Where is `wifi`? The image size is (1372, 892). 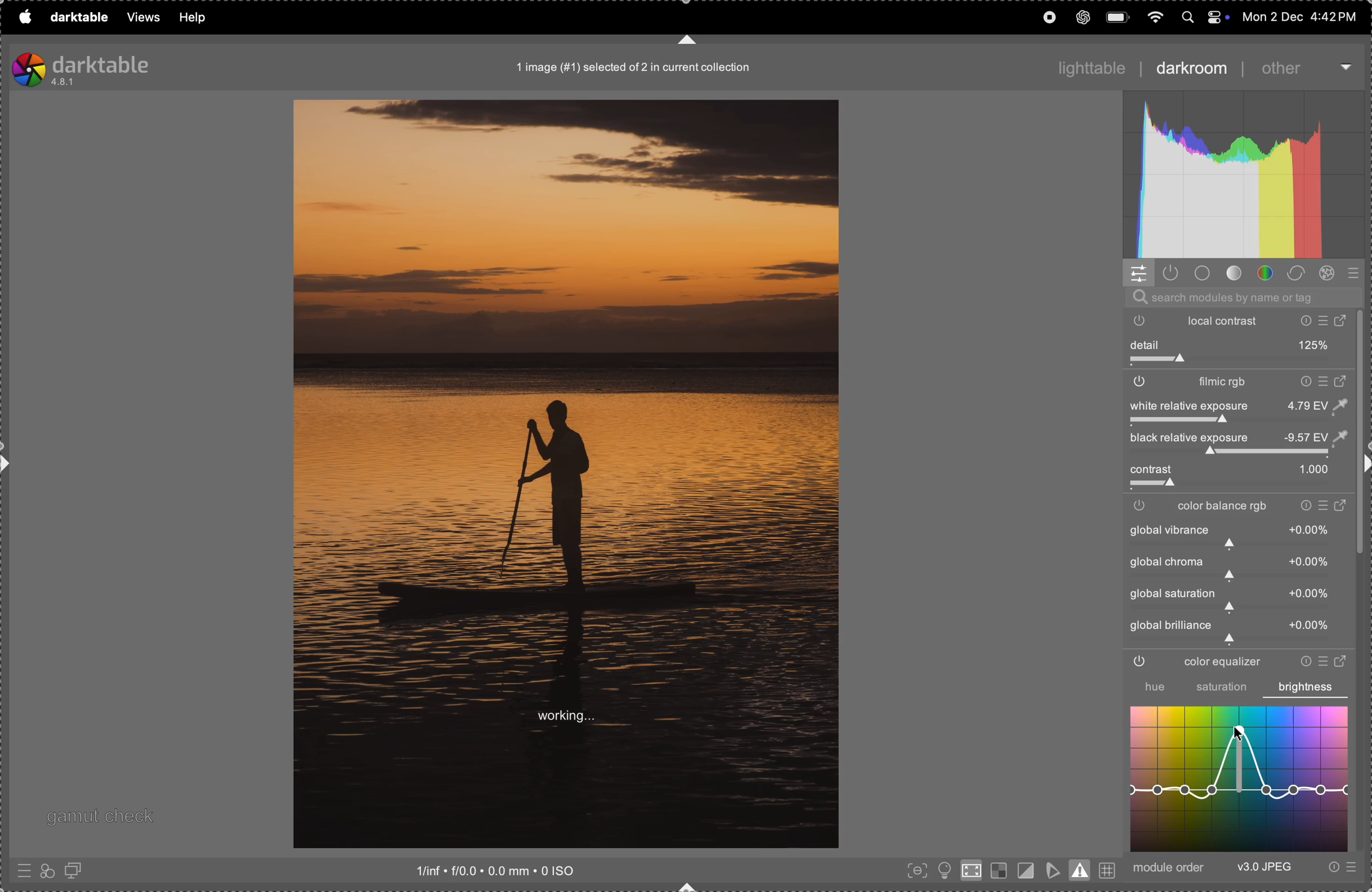
wifi is located at coordinates (1153, 16).